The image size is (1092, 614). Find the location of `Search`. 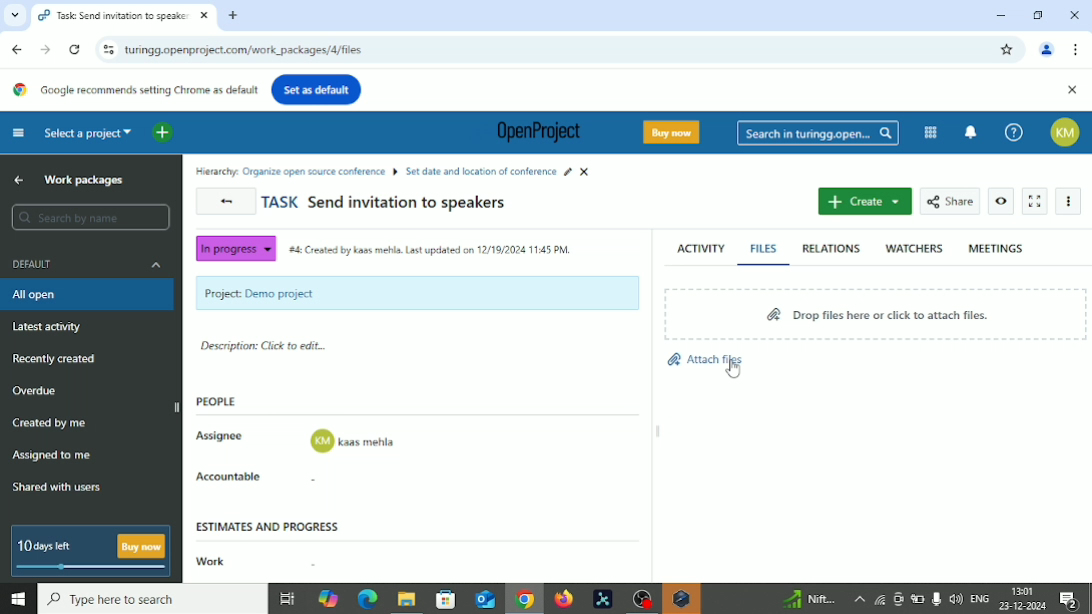

Search is located at coordinates (91, 218).